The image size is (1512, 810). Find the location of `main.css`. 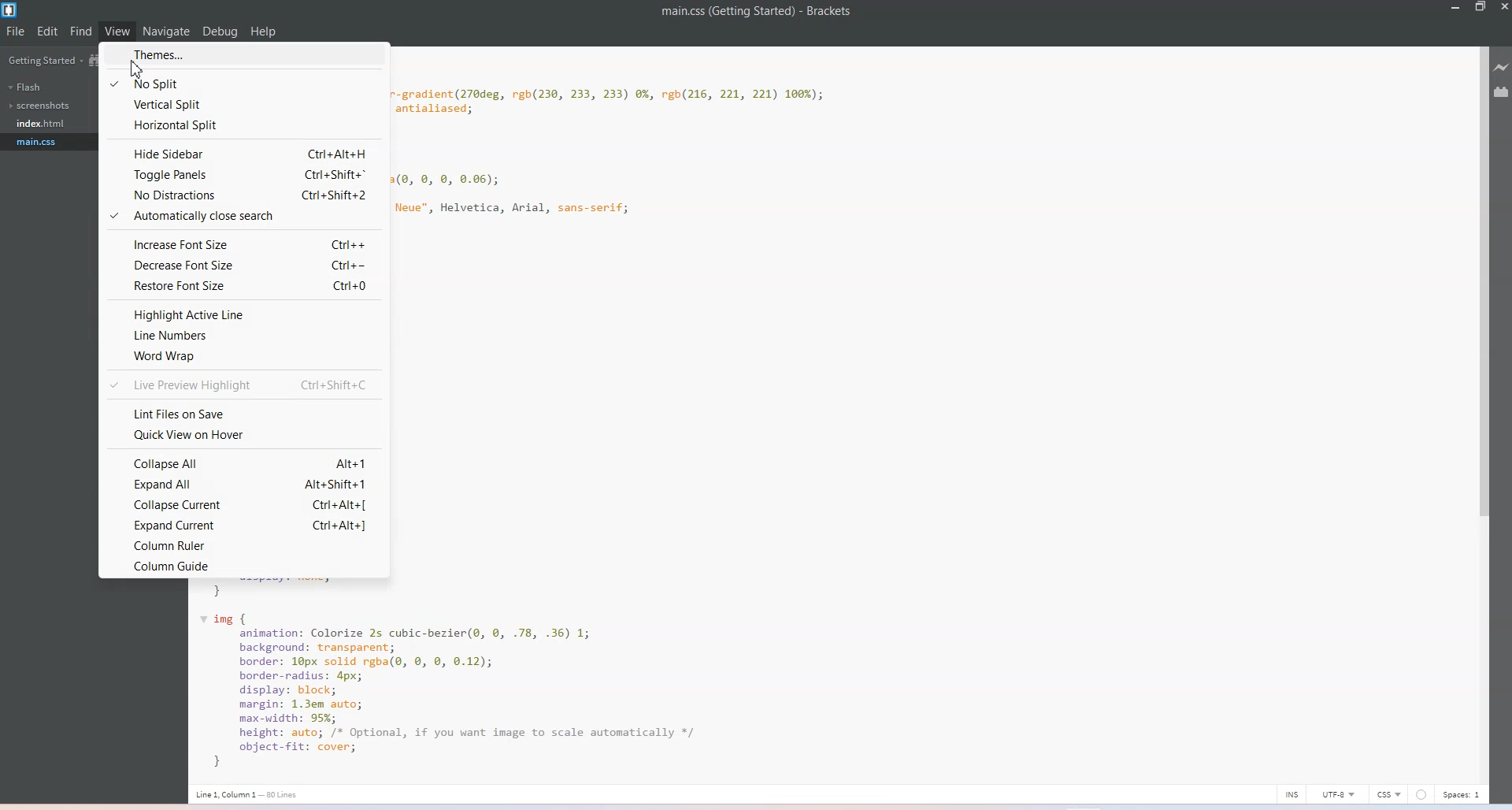

main.css is located at coordinates (41, 142).